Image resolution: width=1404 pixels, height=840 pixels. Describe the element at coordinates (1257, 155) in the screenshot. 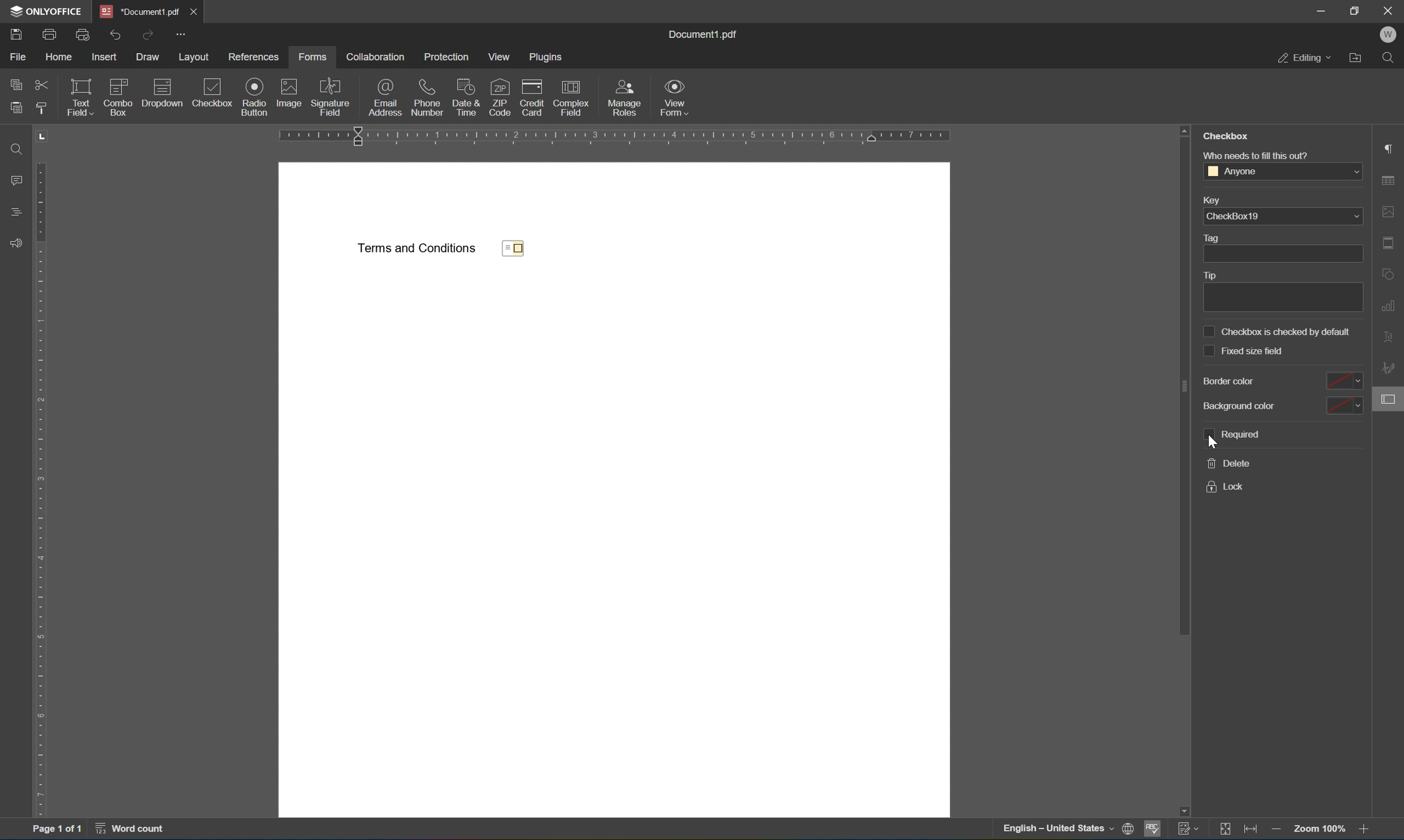

I see `who needs to fill this out?` at that location.